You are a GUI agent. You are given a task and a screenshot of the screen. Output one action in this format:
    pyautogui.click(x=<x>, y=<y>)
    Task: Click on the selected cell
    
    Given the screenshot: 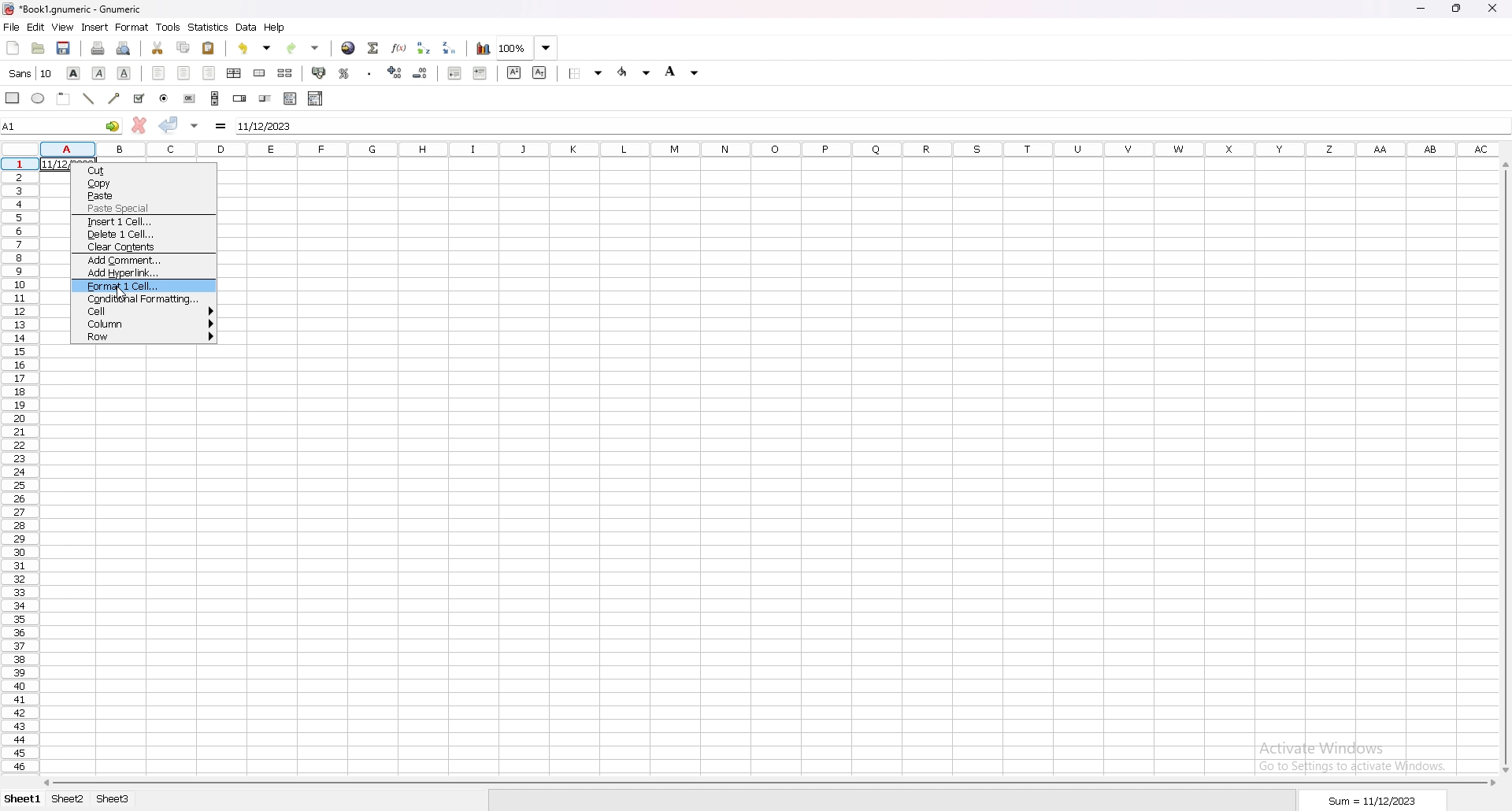 What is the action you would take?
    pyautogui.click(x=60, y=127)
    